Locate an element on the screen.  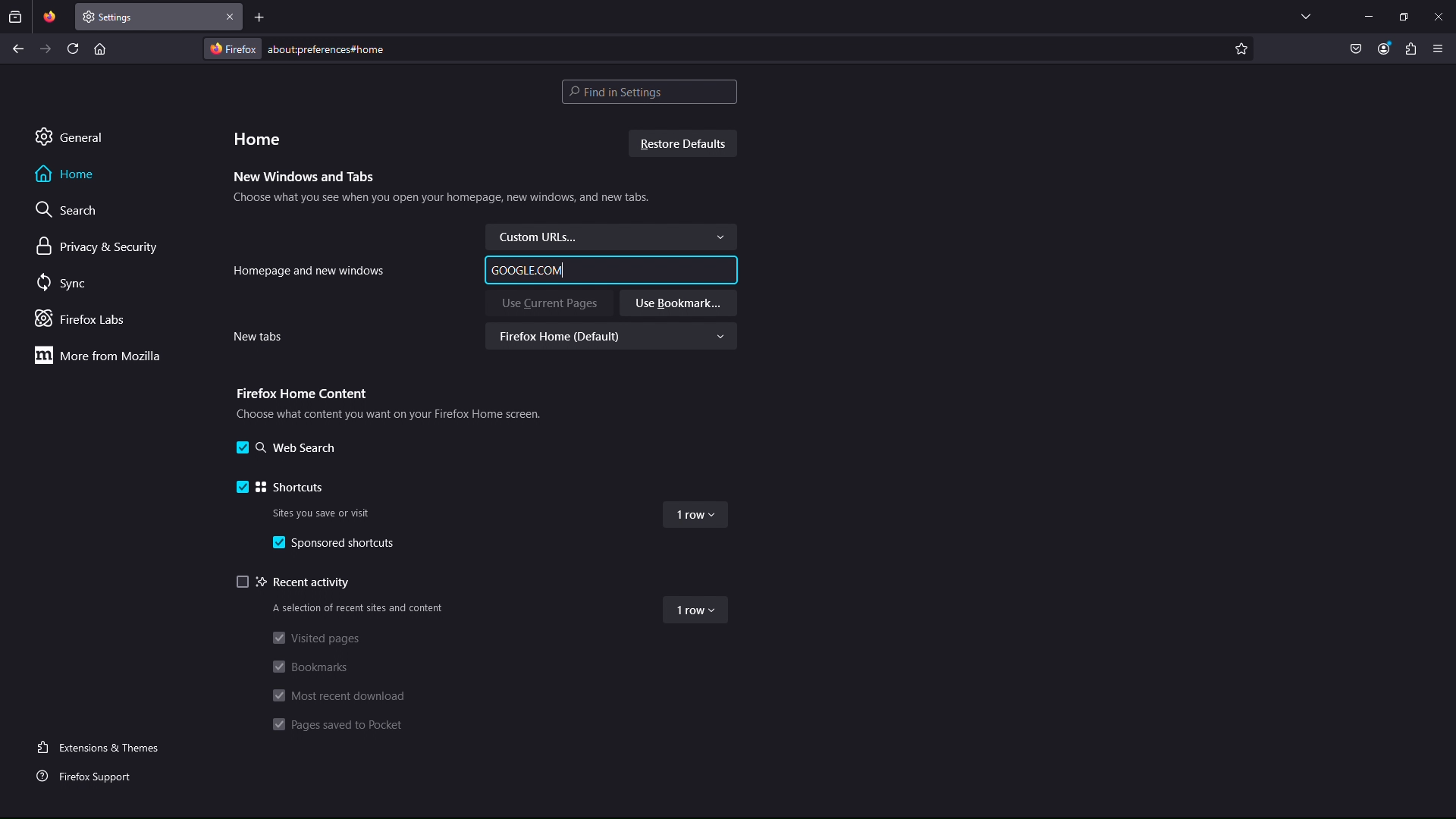
Homepage and new windows is located at coordinates (309, 269).